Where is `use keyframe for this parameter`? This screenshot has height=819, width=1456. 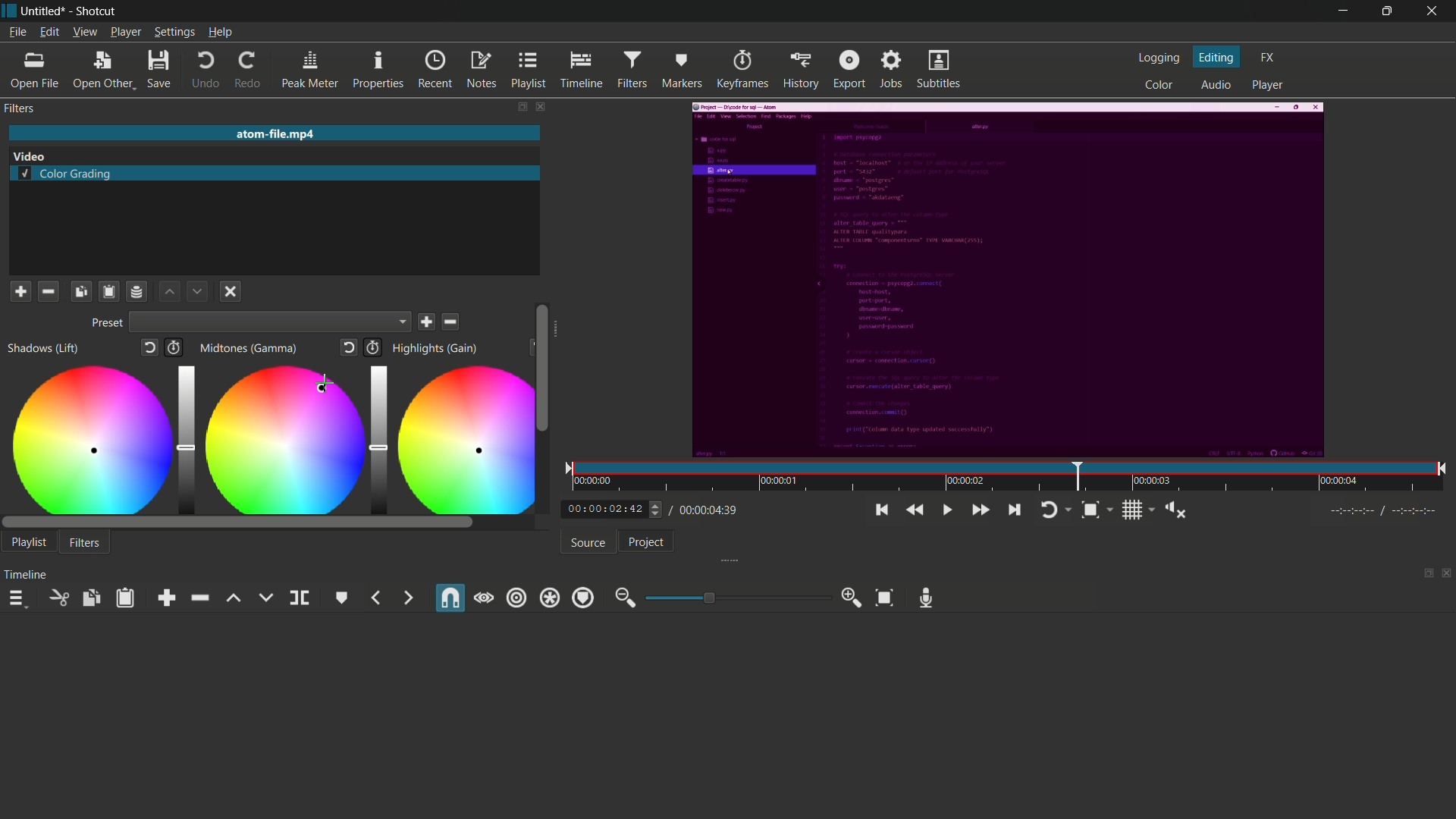 use keyframe for this parameter is located at coordinates (372, 347).